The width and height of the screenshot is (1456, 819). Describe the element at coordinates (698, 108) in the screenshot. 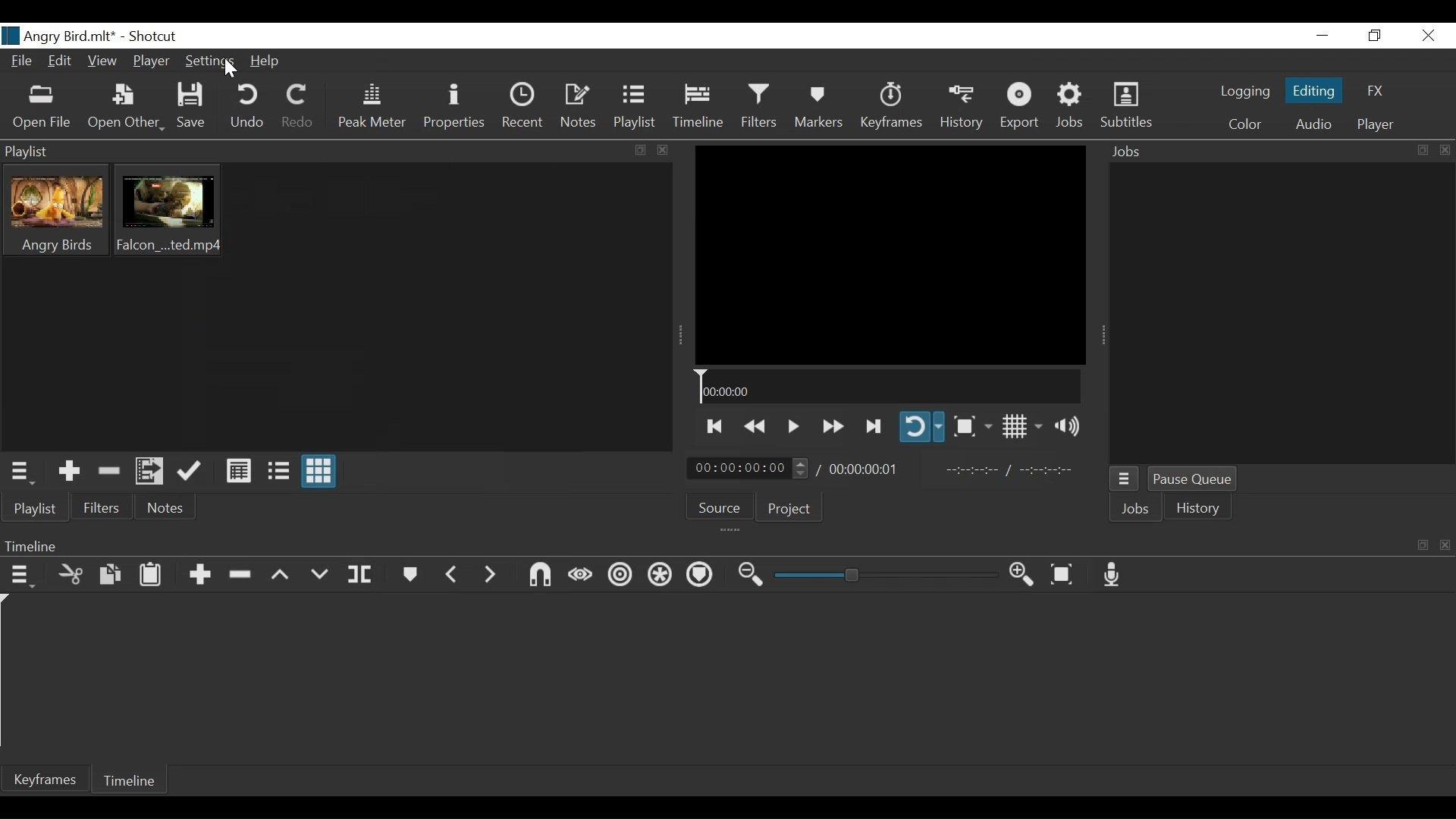

I see `Timeline` at that location.